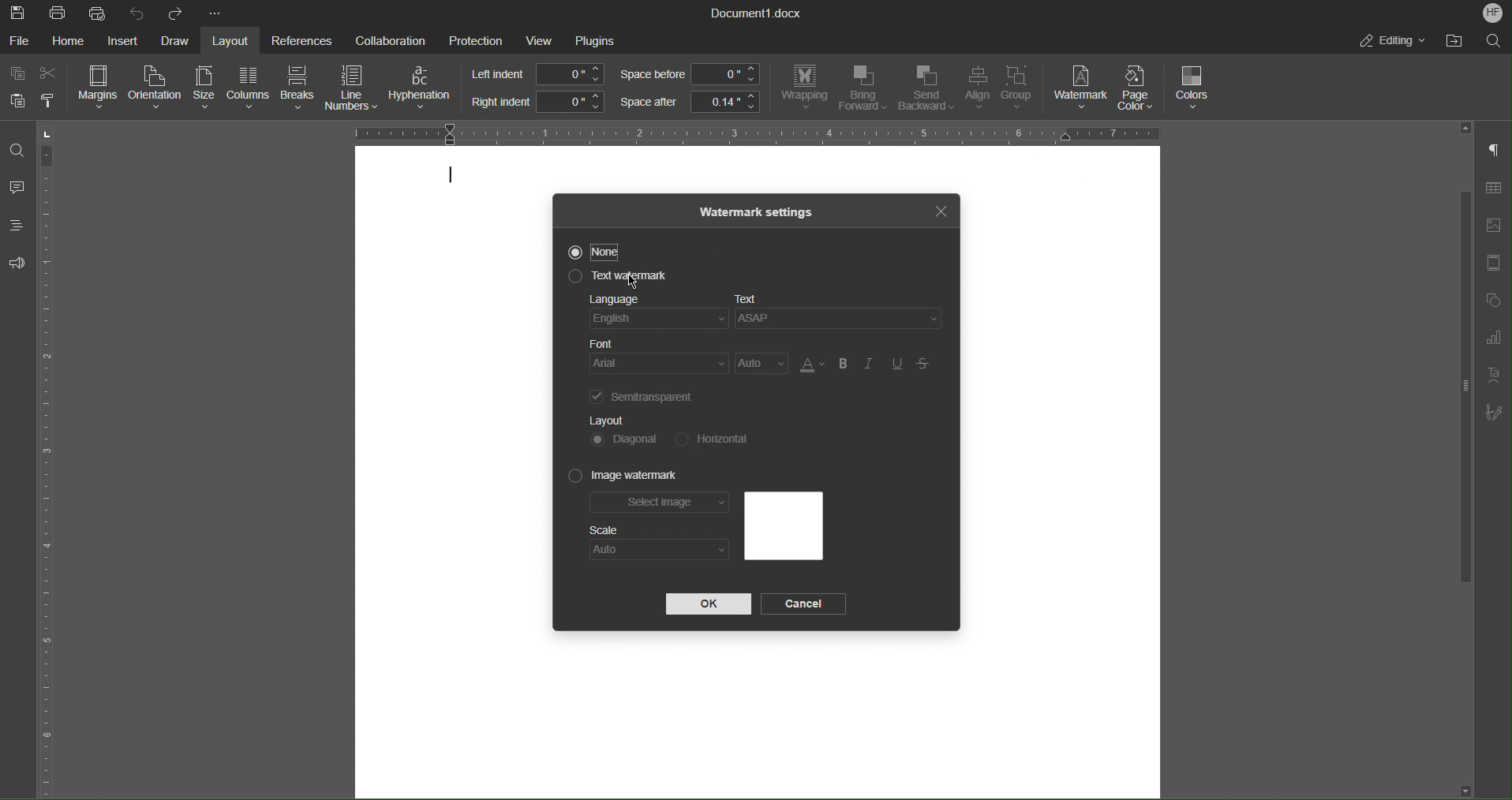 Image resolution: width=1512 pixels, height=800 pixels. Describe the element at coordinates (658, 314) in the screenshot. I see `Language` at that location.